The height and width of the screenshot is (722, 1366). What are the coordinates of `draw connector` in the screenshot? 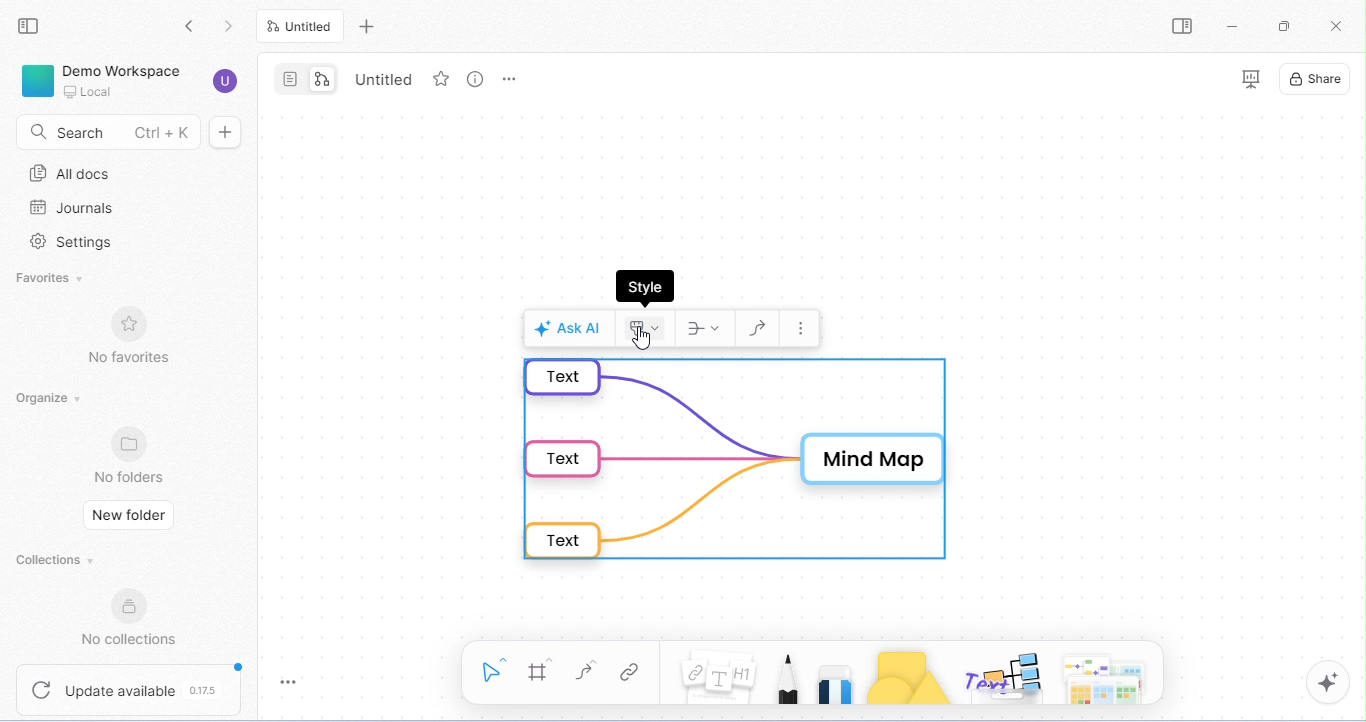 It's located at (757, 328).